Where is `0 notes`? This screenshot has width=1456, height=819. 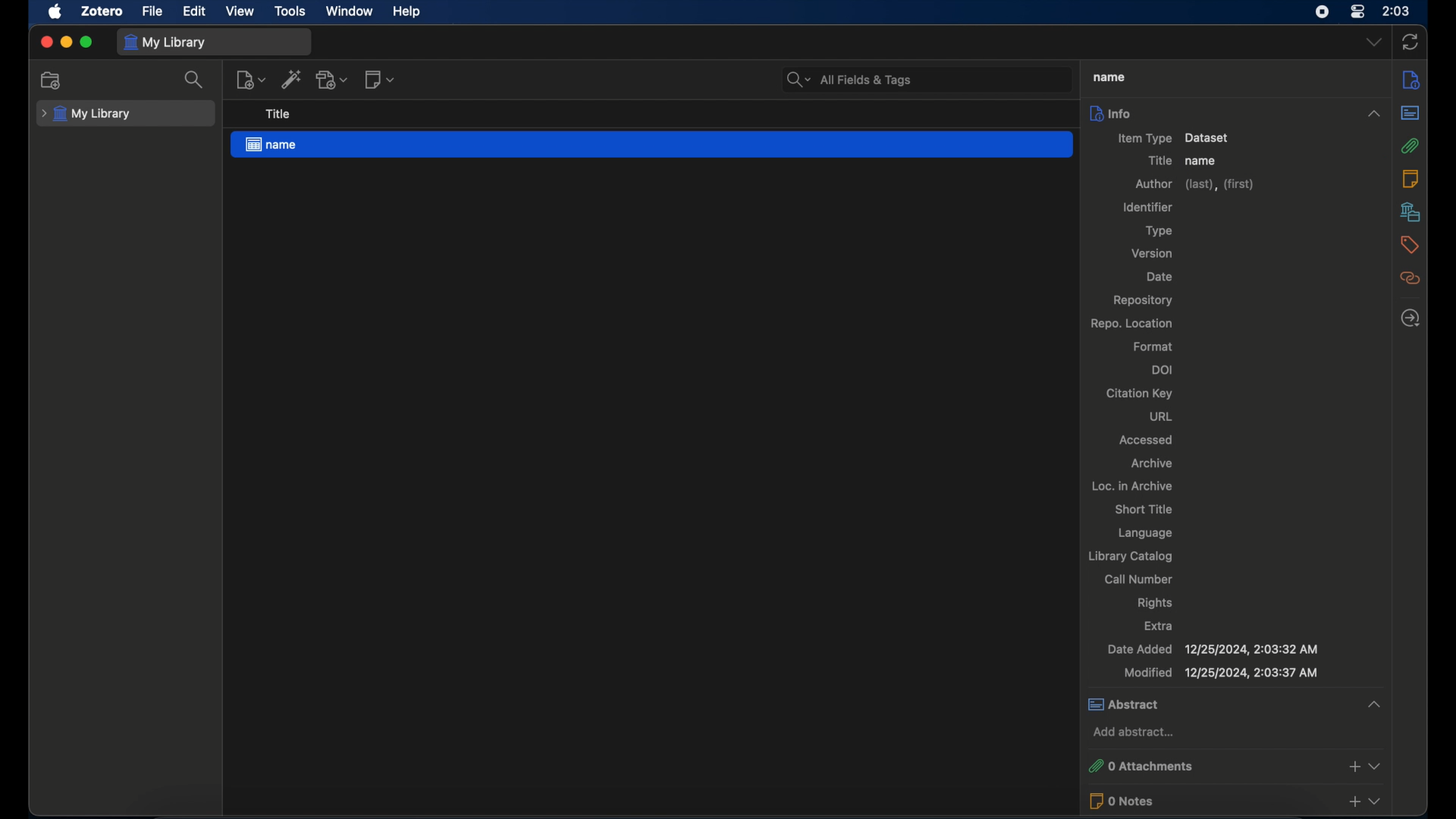 0 notes is located at coordinates (1235, 801).